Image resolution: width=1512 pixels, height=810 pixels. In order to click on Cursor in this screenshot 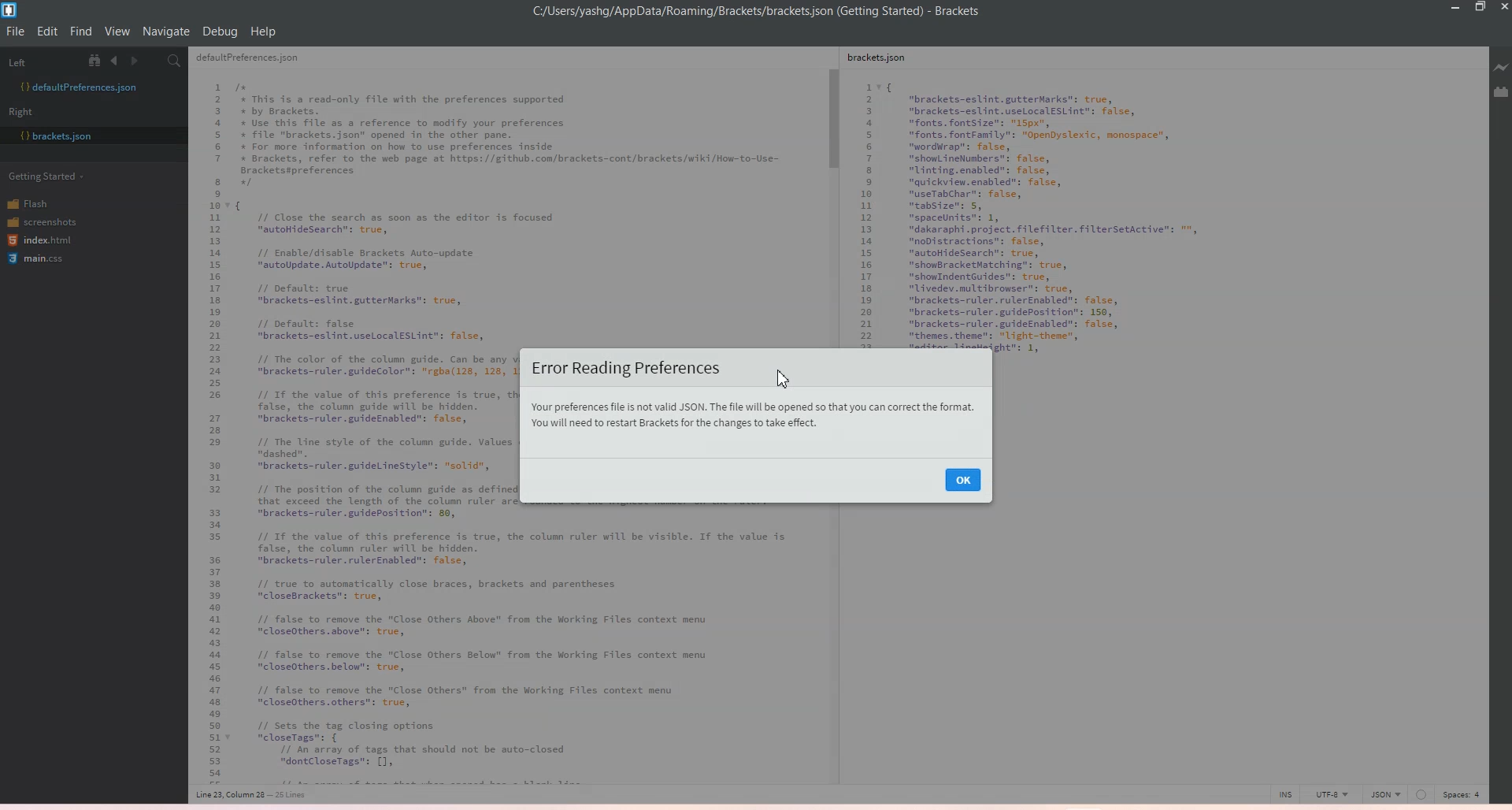, I will do `click(786, 379)`.